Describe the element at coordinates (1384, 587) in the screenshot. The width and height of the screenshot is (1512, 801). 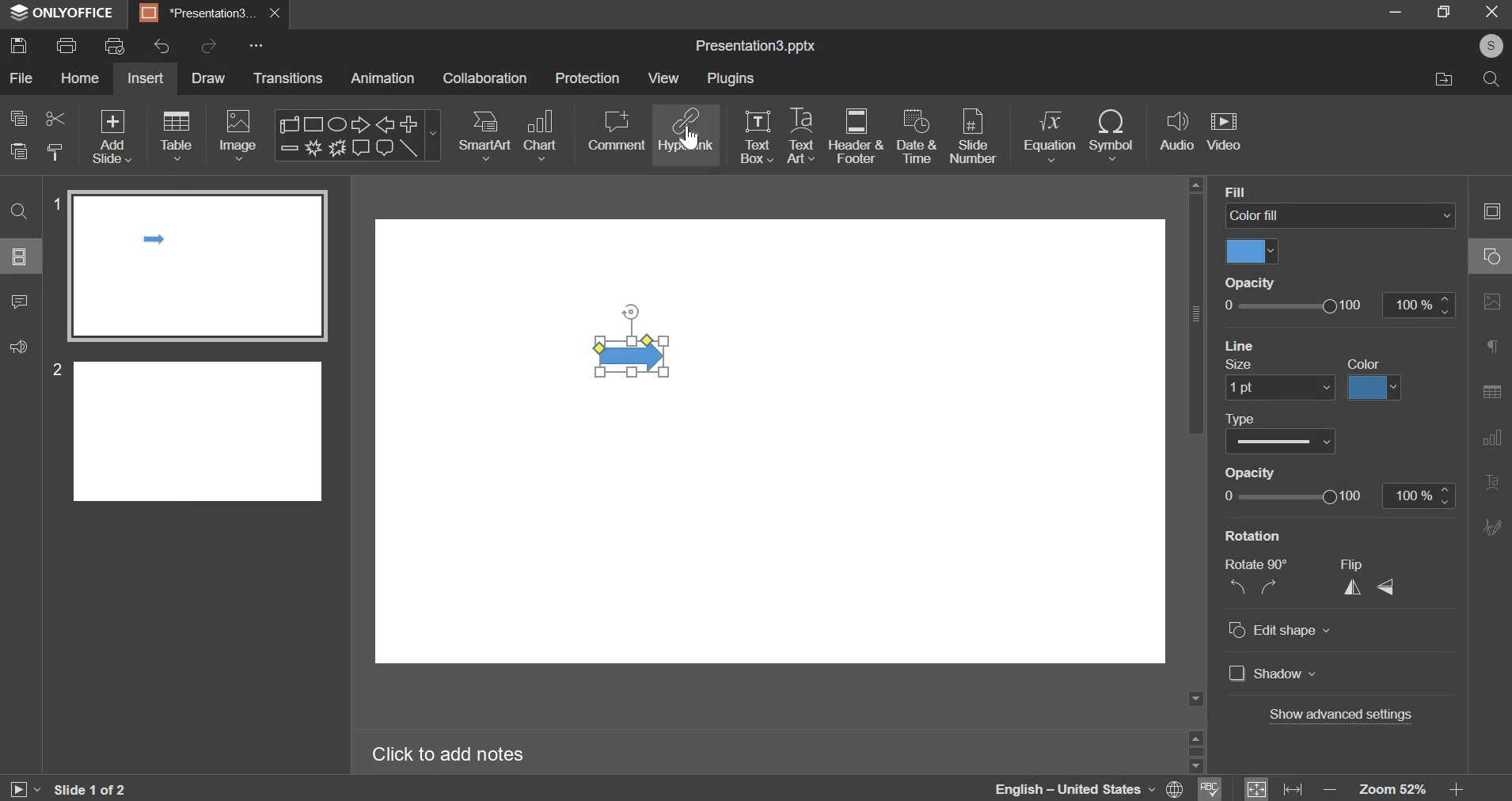
I see `flip vertically` at that location.